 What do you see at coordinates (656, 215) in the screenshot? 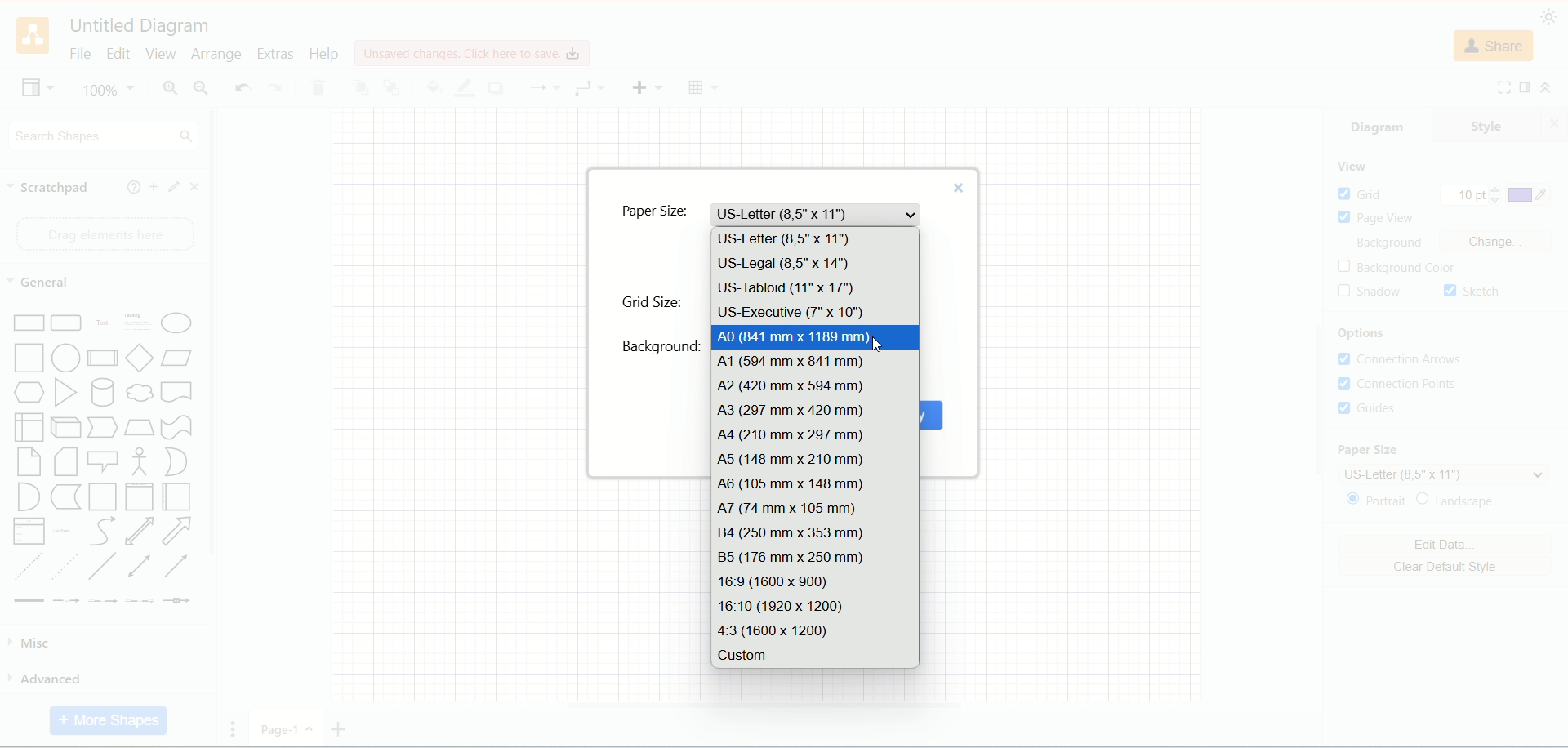
I see `paper size` at bounding box center [656, 215].